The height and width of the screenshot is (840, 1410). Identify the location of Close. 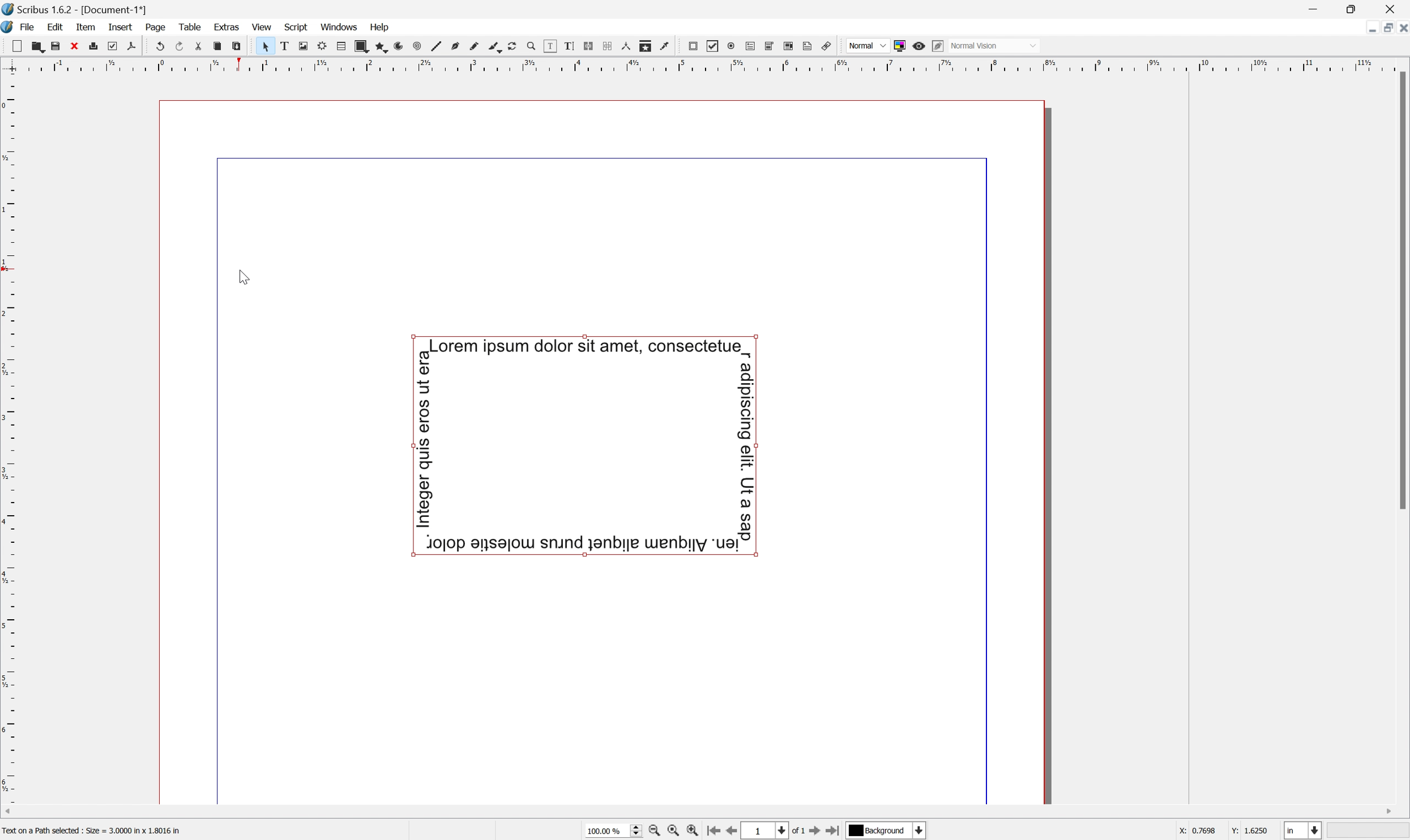
(75, 46).